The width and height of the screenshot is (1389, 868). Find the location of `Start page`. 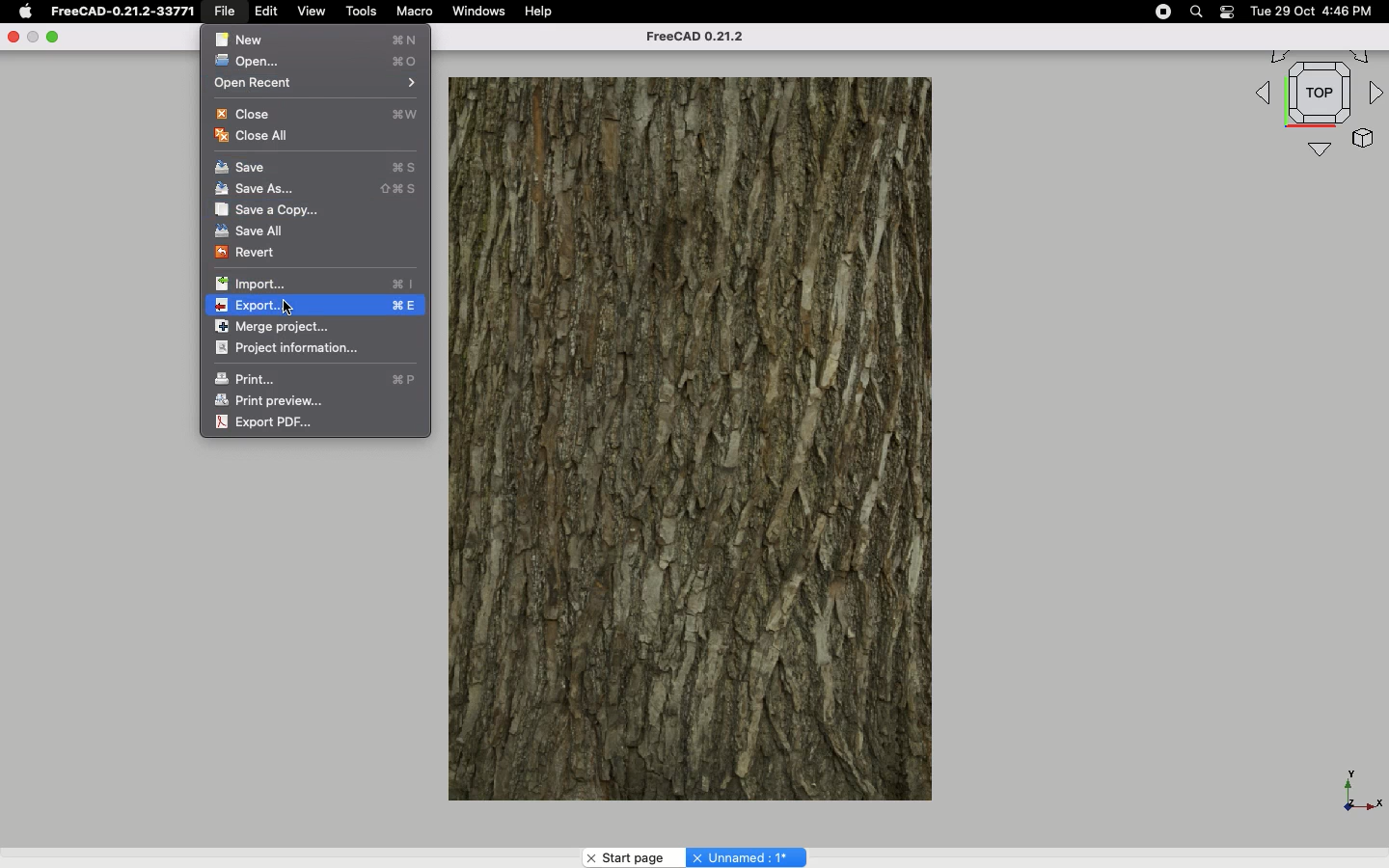

Start page is located at coordinates (633, 857).